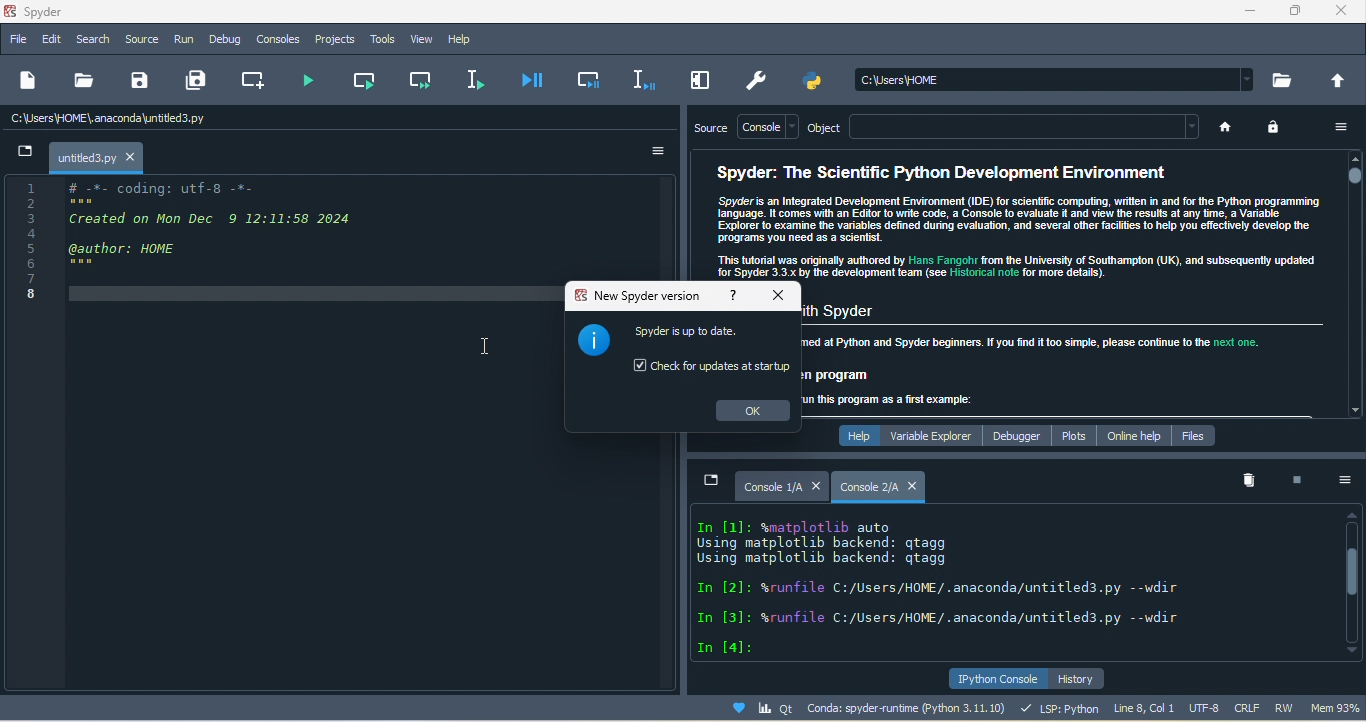 The height and width of the screenshot is (722, 1366). What do you see at coordinates (1336, 129) in the screenshot?
I see `option` at bounding box center [1336, 129].